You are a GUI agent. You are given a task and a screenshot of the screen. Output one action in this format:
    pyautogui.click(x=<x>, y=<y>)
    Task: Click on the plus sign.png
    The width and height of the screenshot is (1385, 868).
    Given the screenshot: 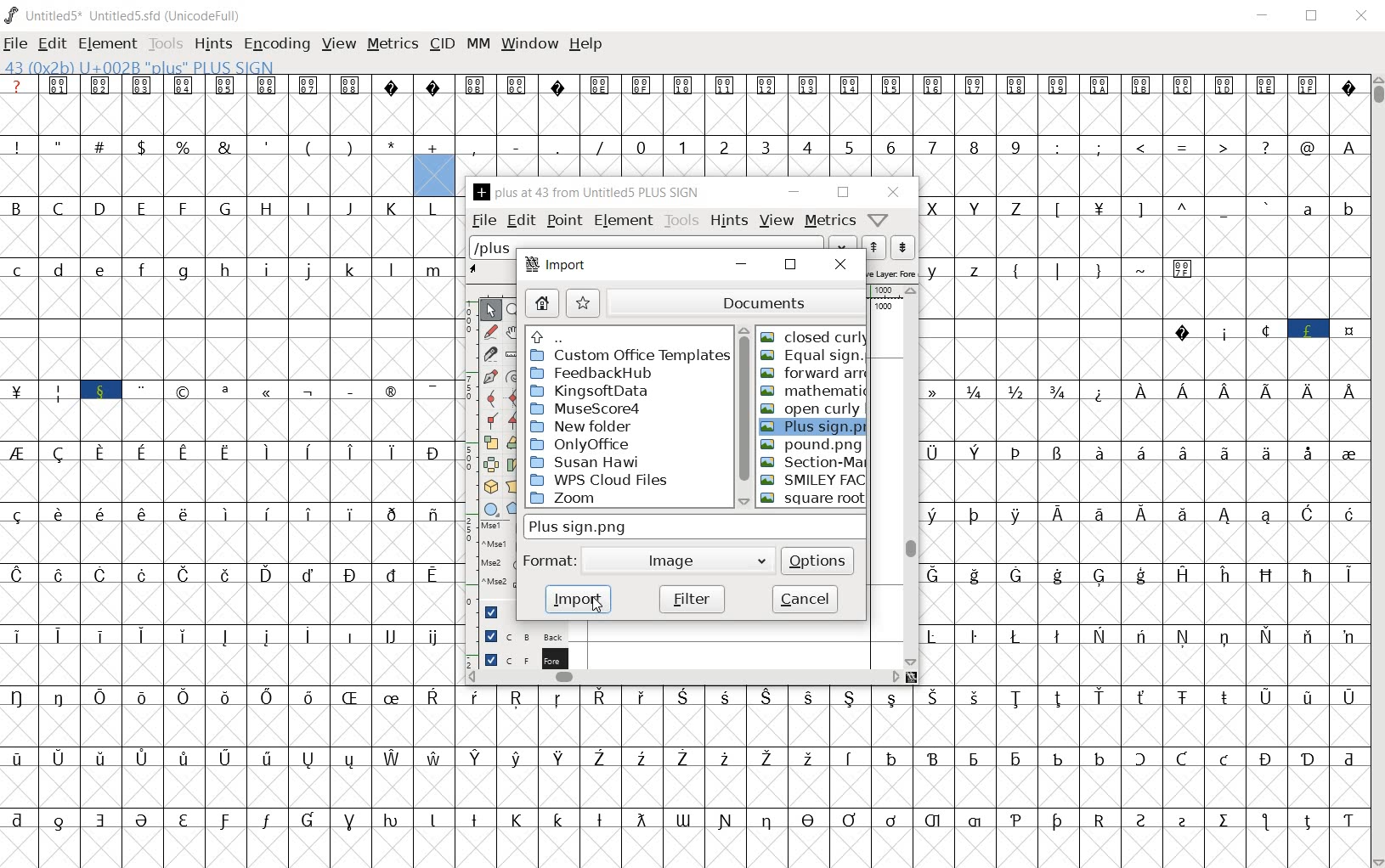 What is the action you would take?
    pyautogui.click(x=625, y=527)
    